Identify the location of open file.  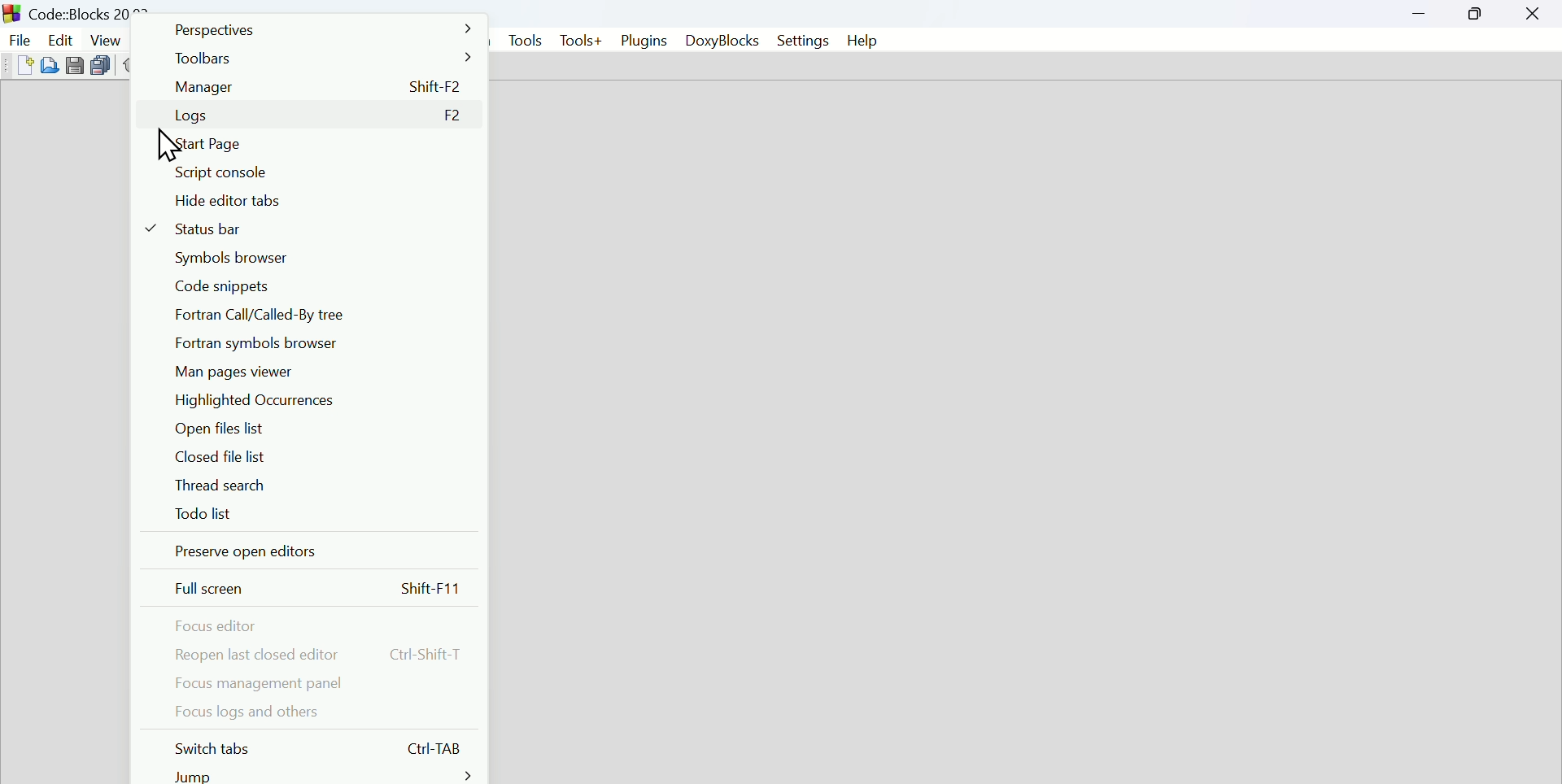
(49, 64).